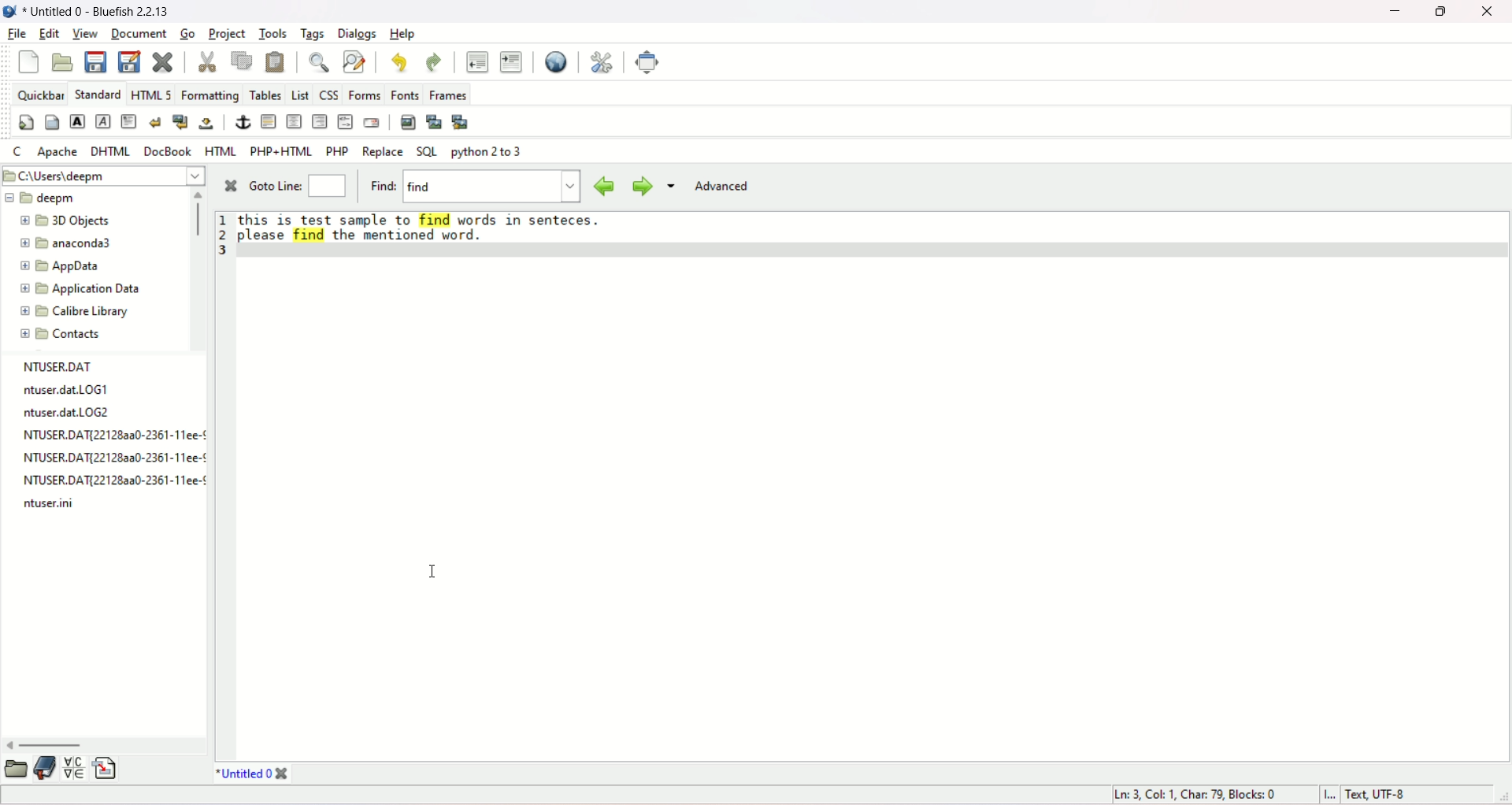  I want to click on paste, so click(273, 60).